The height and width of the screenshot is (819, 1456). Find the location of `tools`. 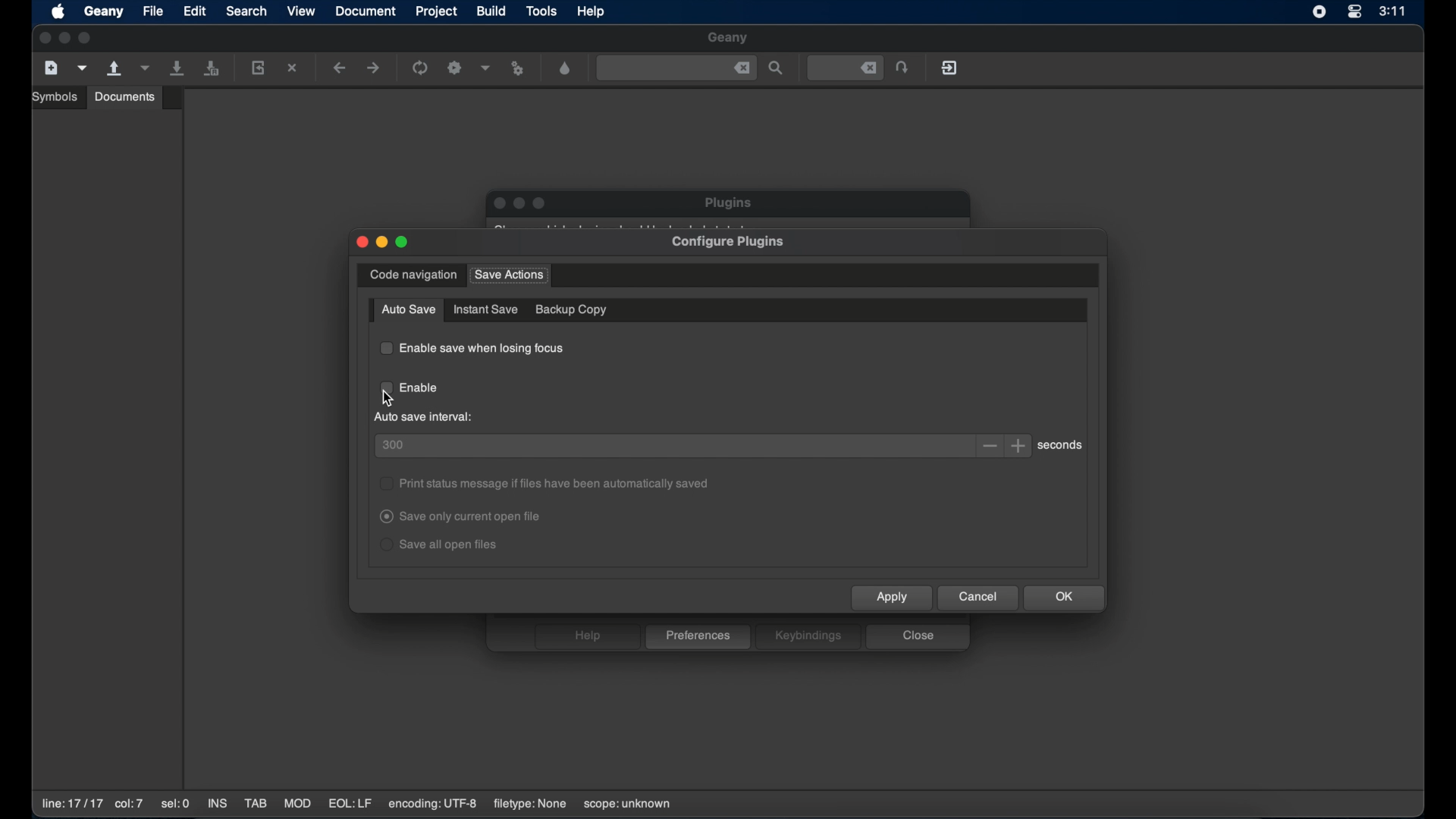

tools is located at coordinates (542, 12).